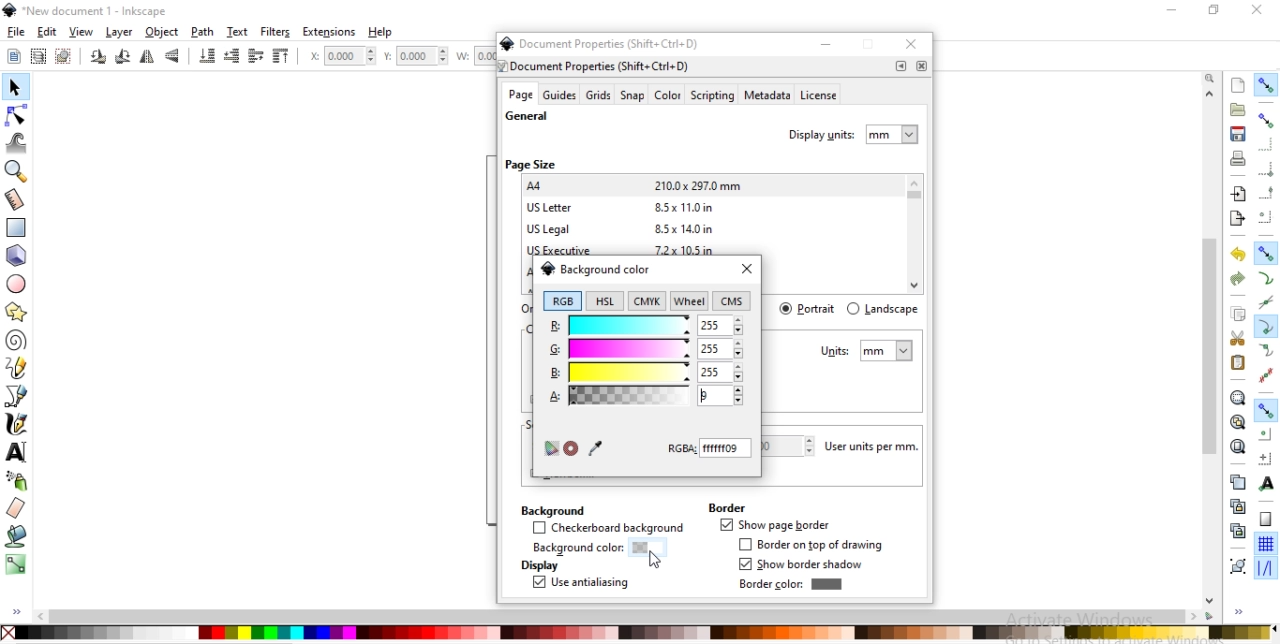  Describe the element at coordinates (1266, 169) in the screenshot. I see `snap bounding box corners` at that location.